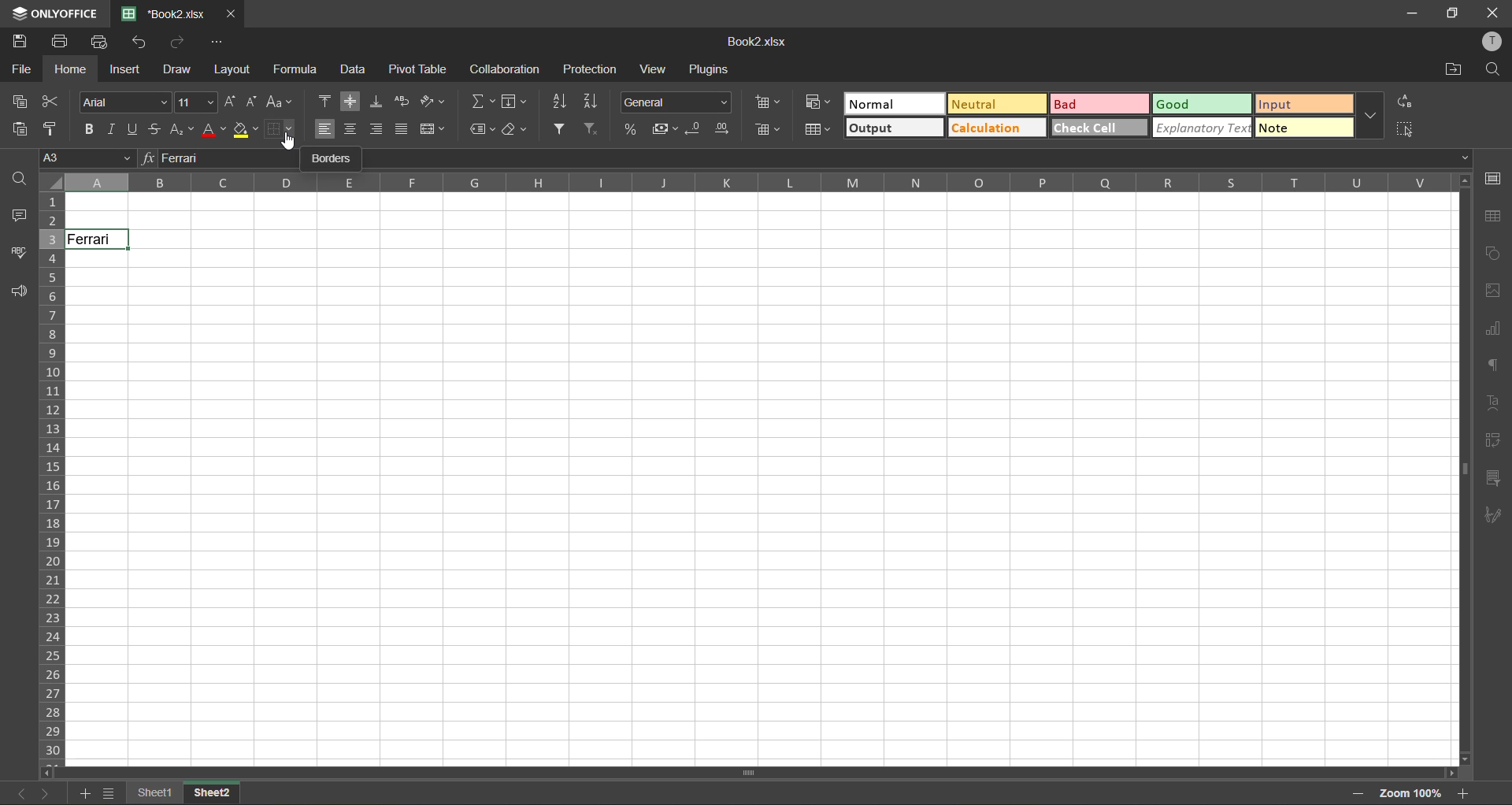 This screenshot has width=1512, height=805. Describe the element at coordinates (124, 72) in the screenshot. I see `insert` at that location.